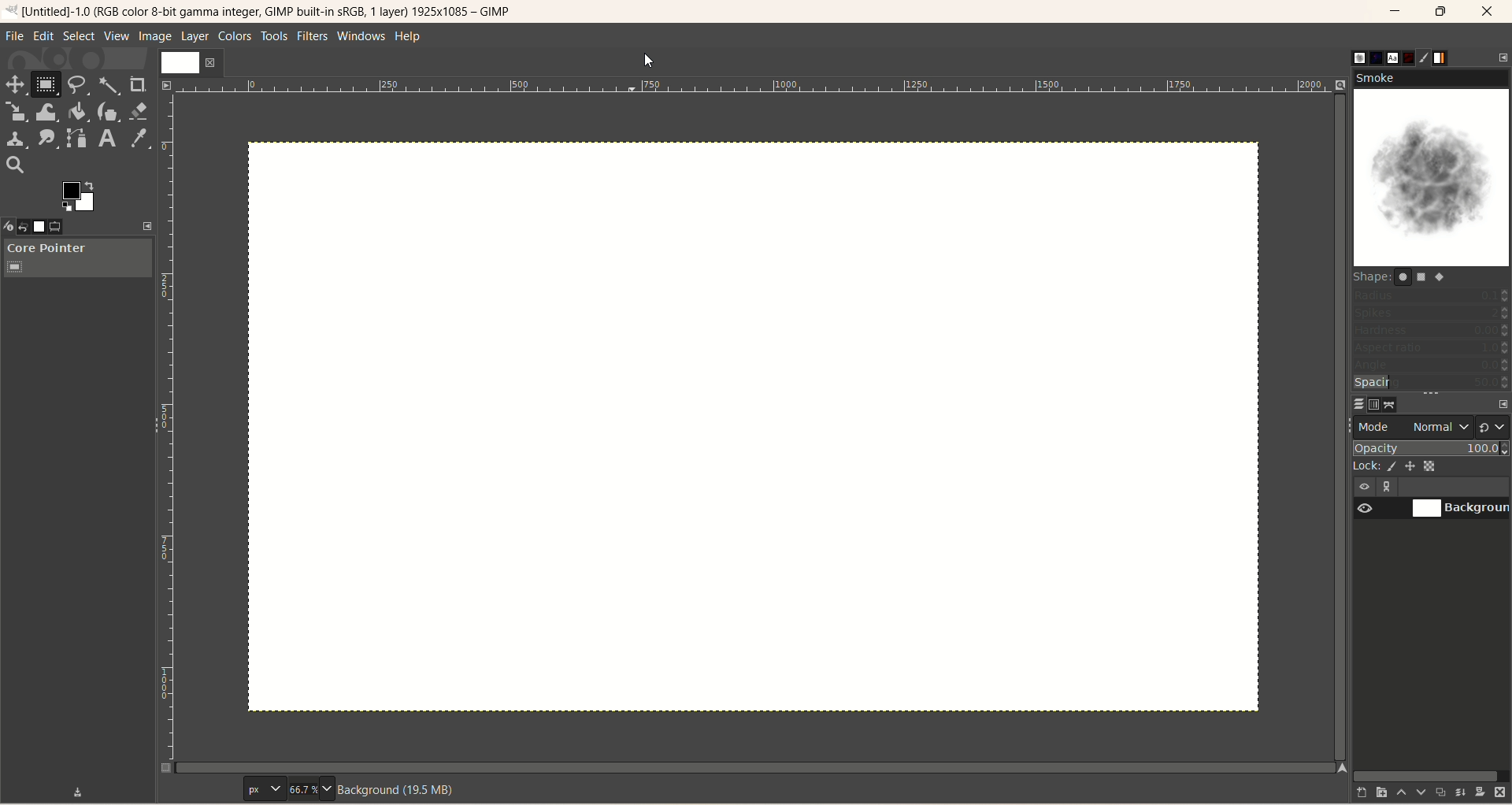  What do you see at coordinates (116, 36) in the screenshot?
I see `view` at bounding box center [116, 36].